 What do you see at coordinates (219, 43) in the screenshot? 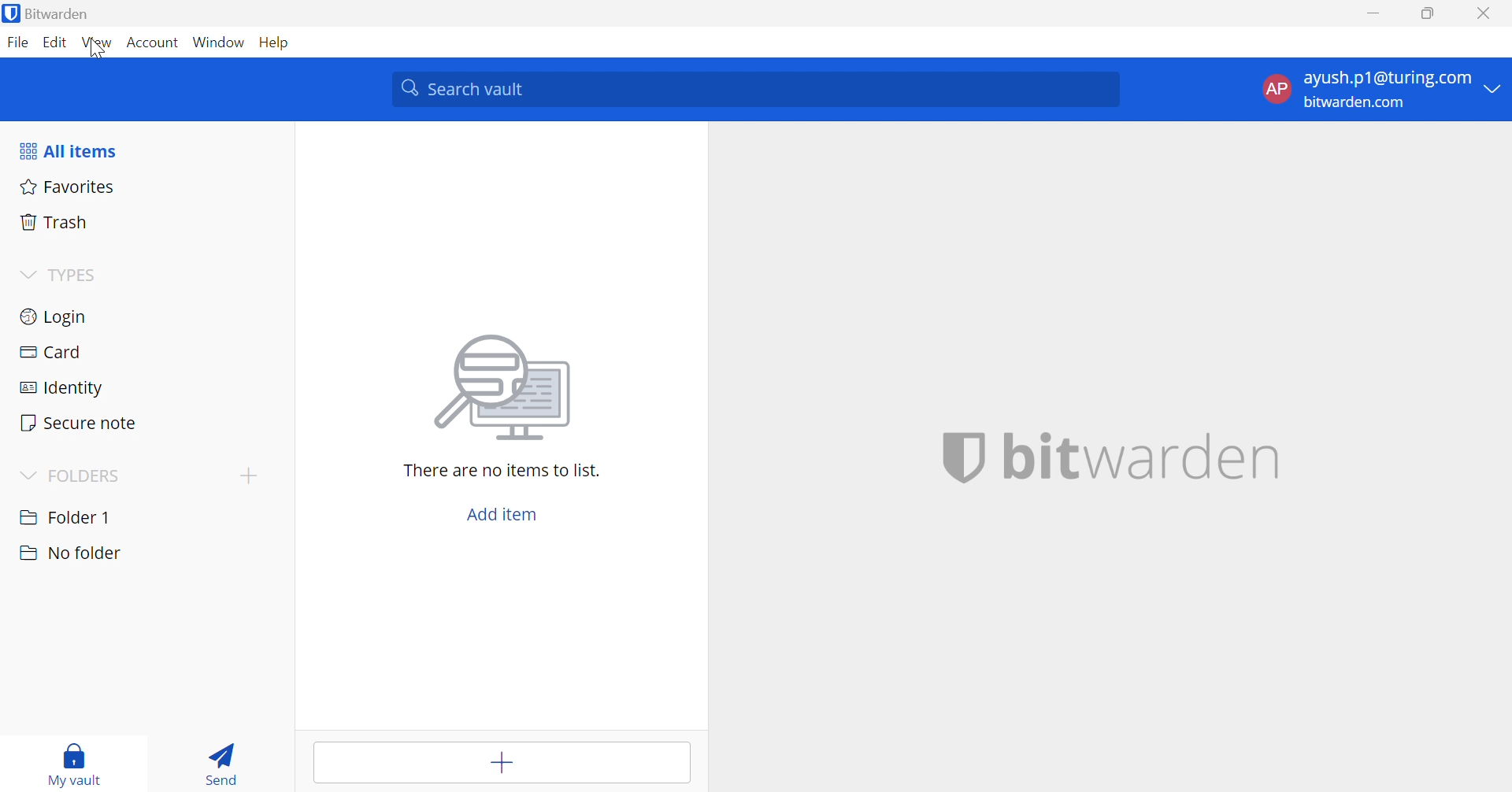
I see `Window` at bounding box center [219, 43].